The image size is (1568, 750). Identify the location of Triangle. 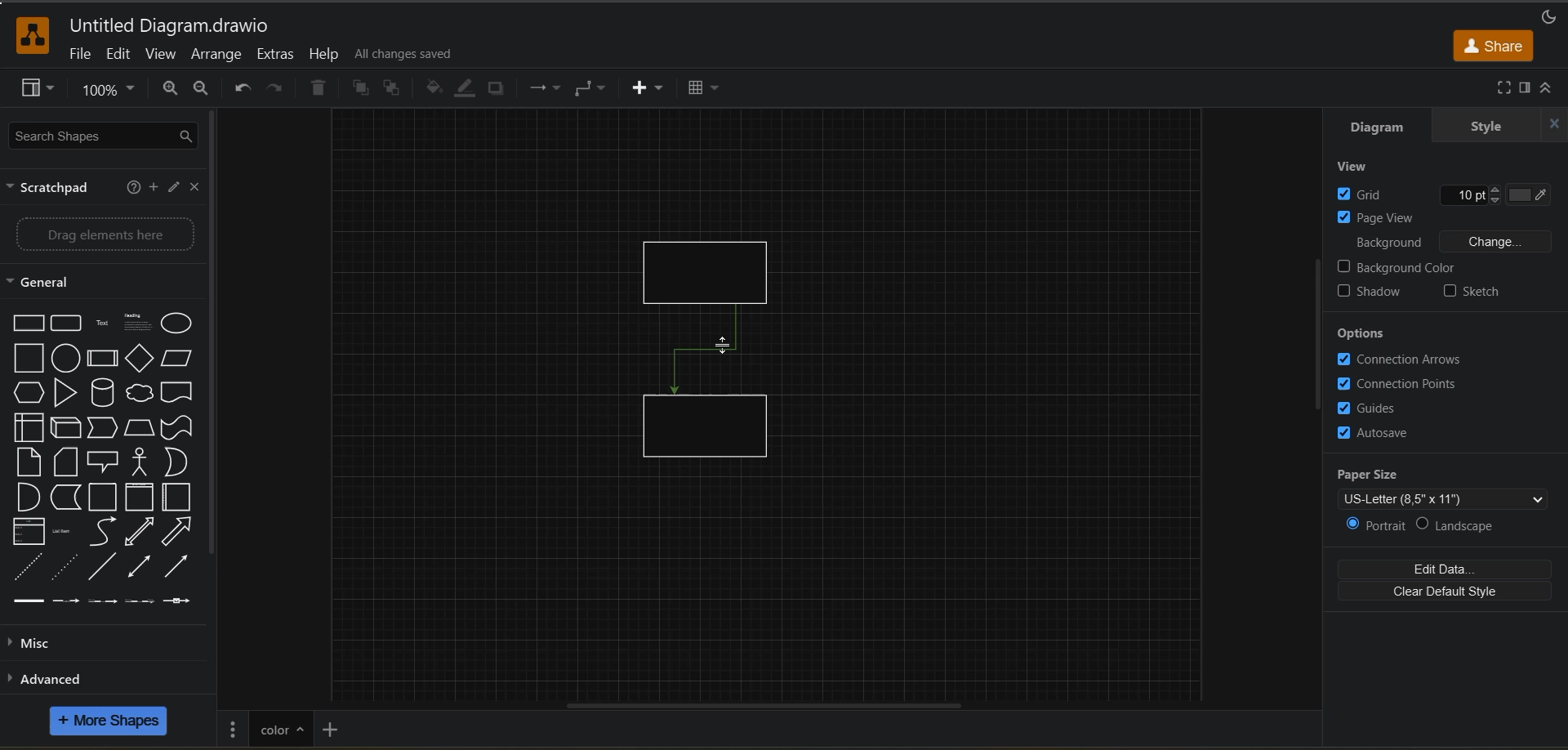
(65, 393).